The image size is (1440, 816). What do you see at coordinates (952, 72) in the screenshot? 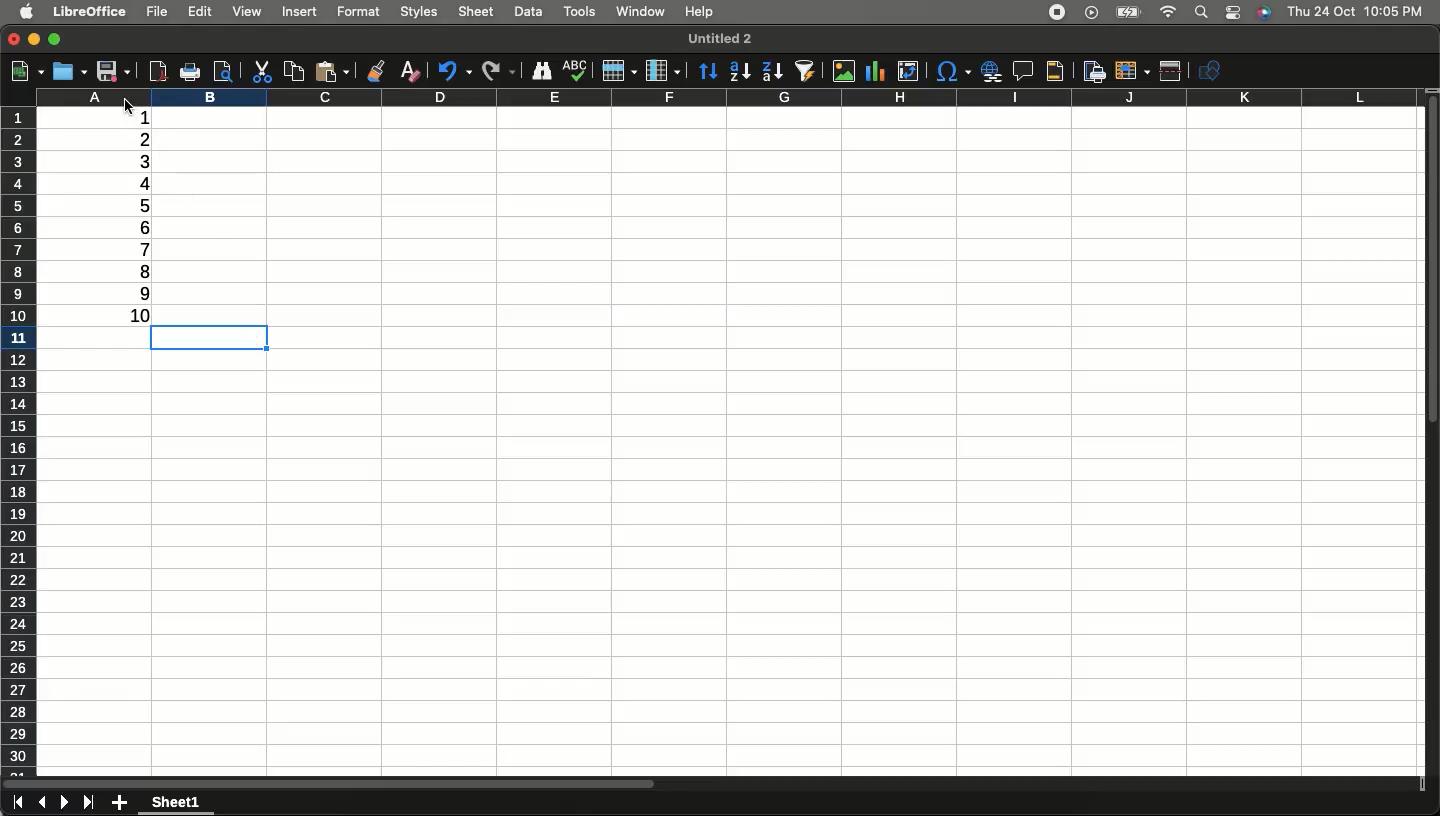
I see `Insert special characters` at bounding box center [952, 72].